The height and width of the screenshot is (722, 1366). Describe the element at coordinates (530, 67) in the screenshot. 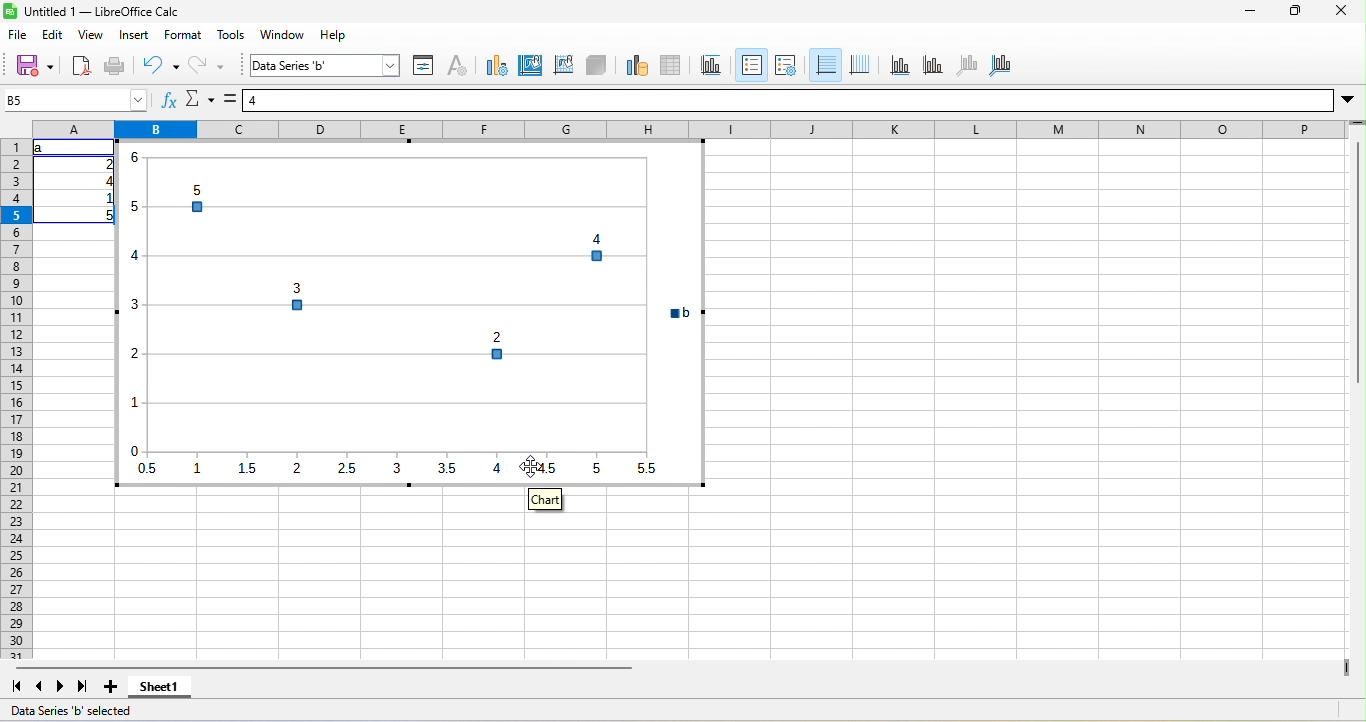

I see `chart area` at that location.